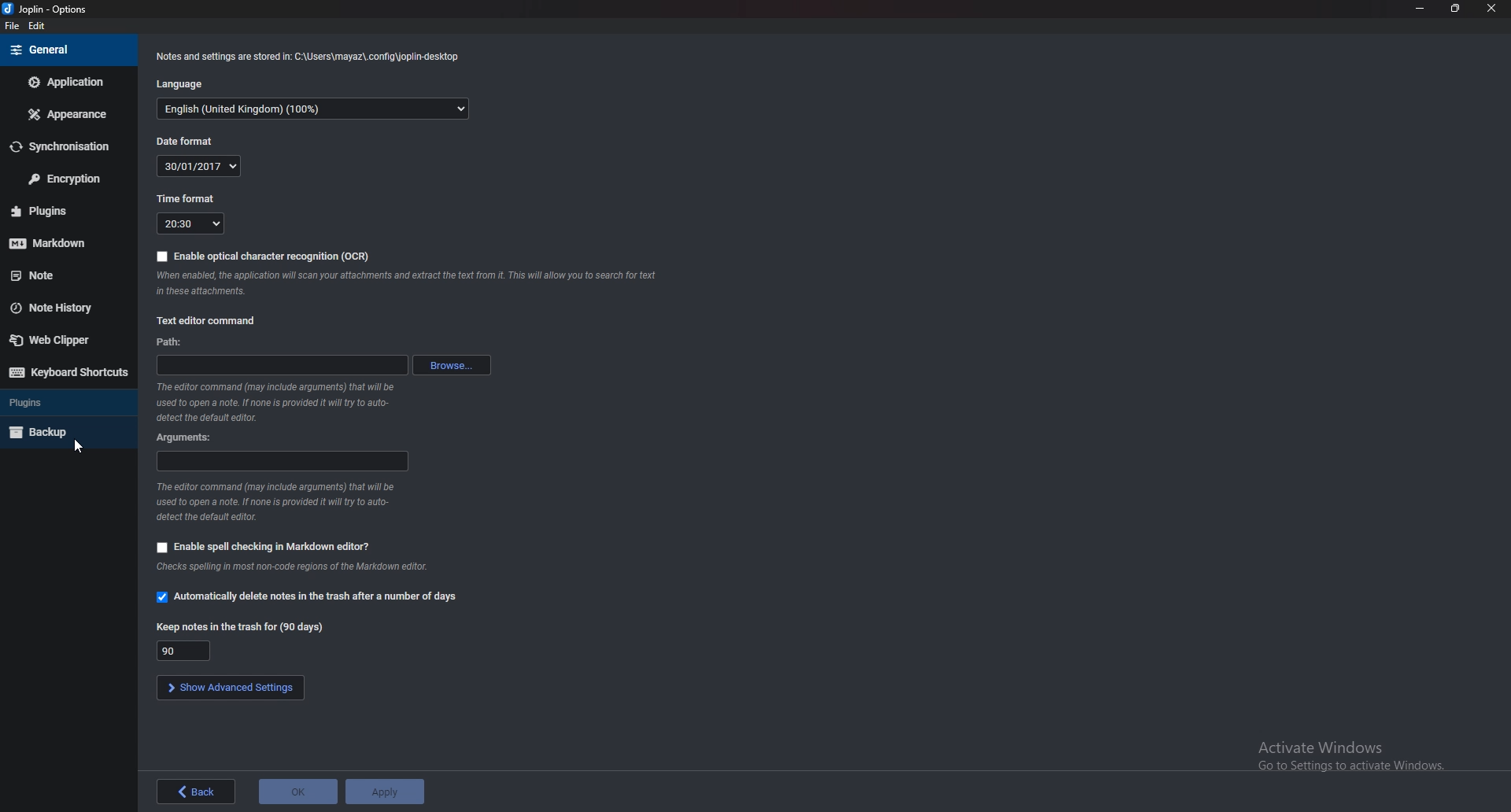 Image resolution: width=1511 pixels, height=812 pixels. Describe the element at coordinates (65, 373) in the screenshot. I see `Keyboard shortcuts` at that location.